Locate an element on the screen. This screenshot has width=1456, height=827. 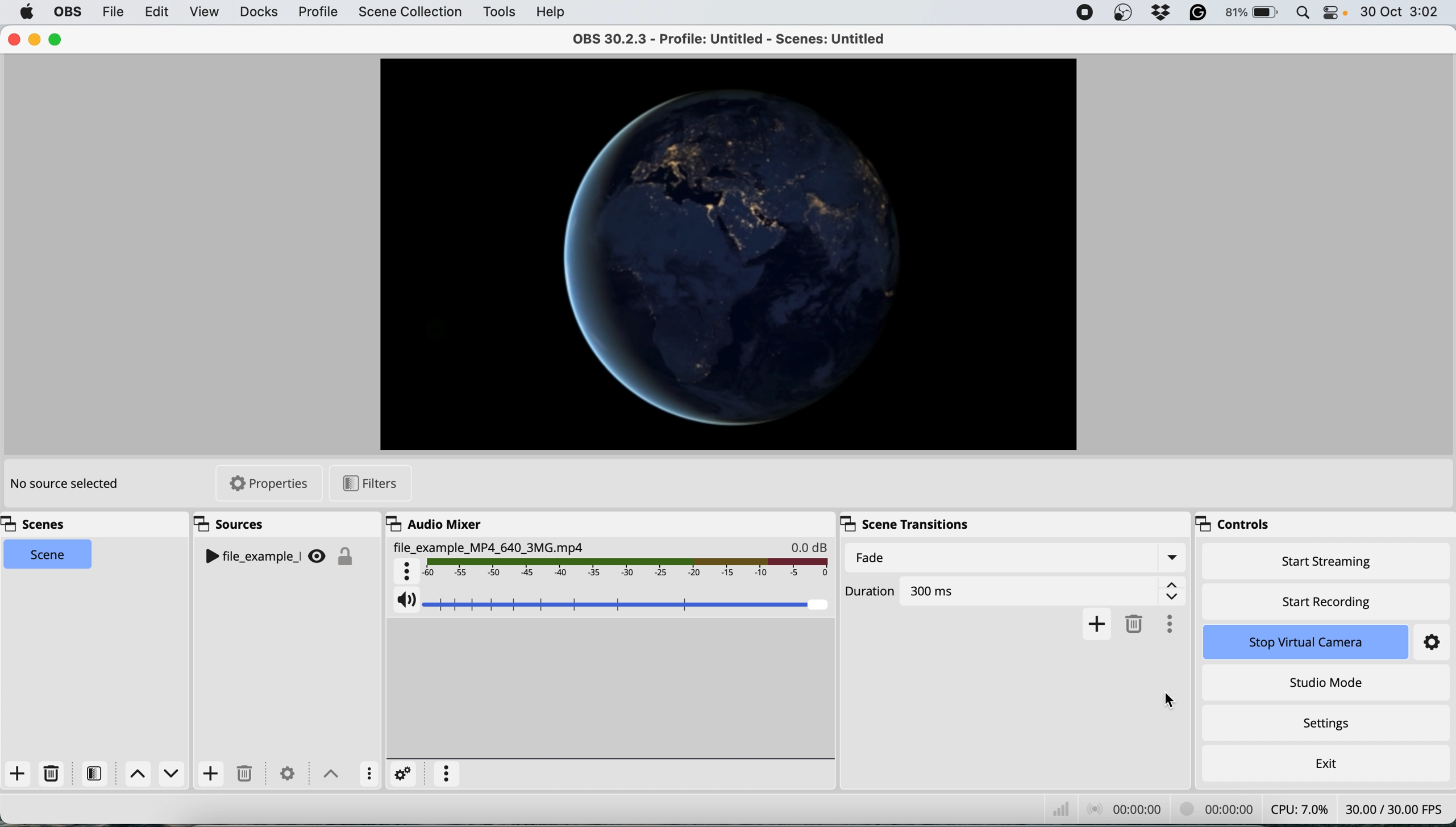
battery is located at coordinates (1251, 12).